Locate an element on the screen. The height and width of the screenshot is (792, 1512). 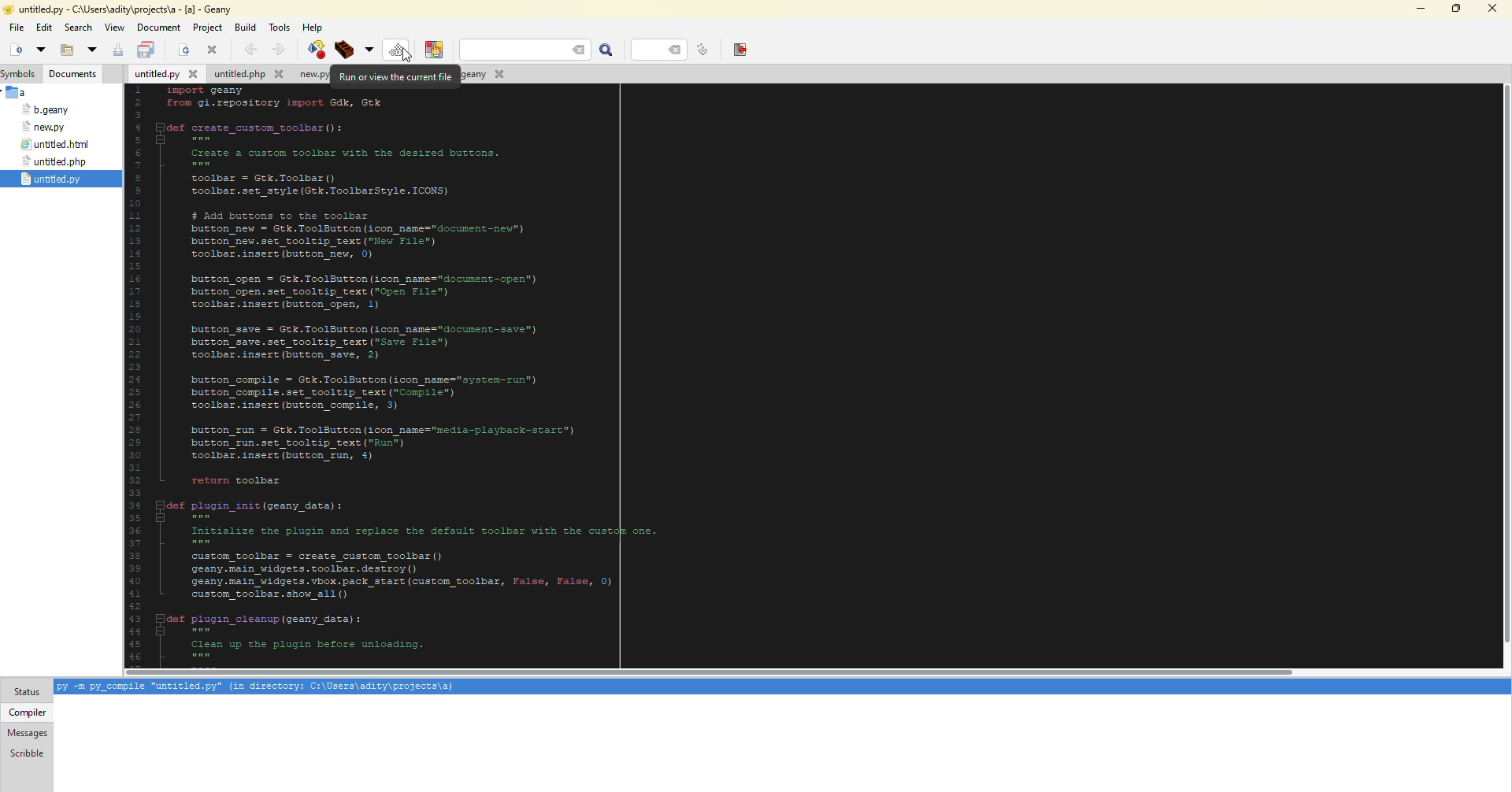
file is located at coordinates (53, 179).